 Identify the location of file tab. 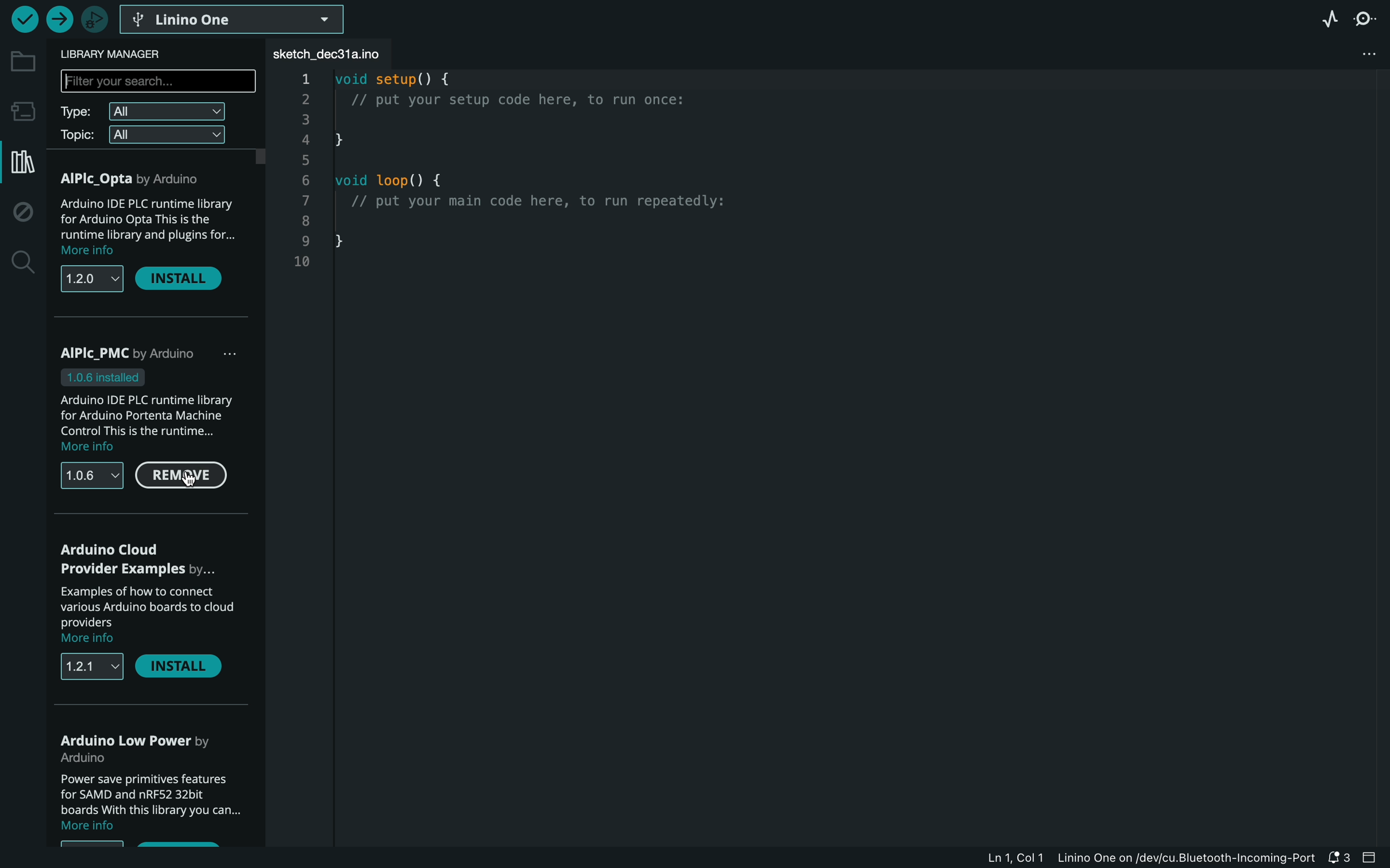
(334, 53).